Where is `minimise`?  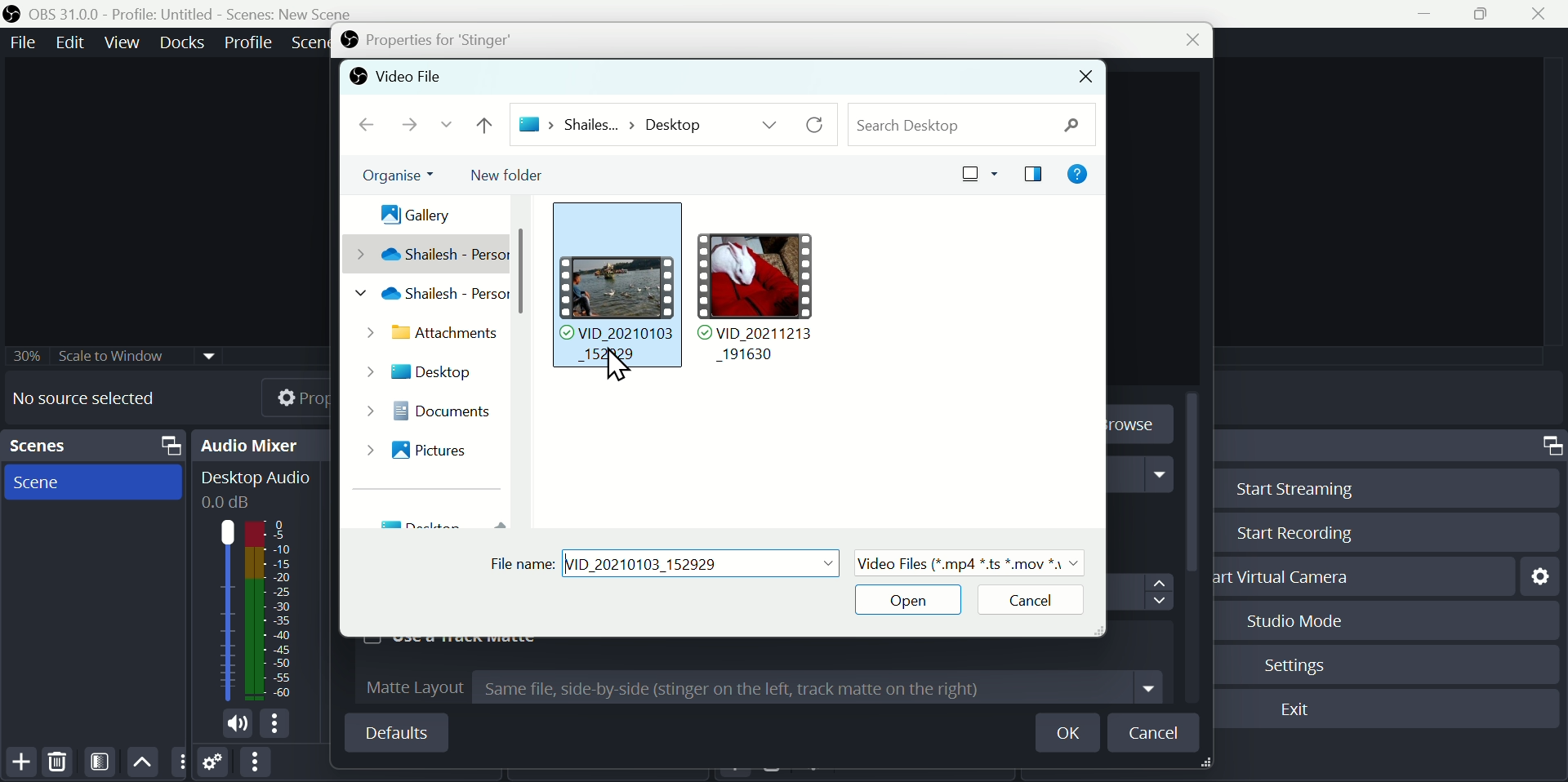 minimise is located at coordinates (1430, 14).